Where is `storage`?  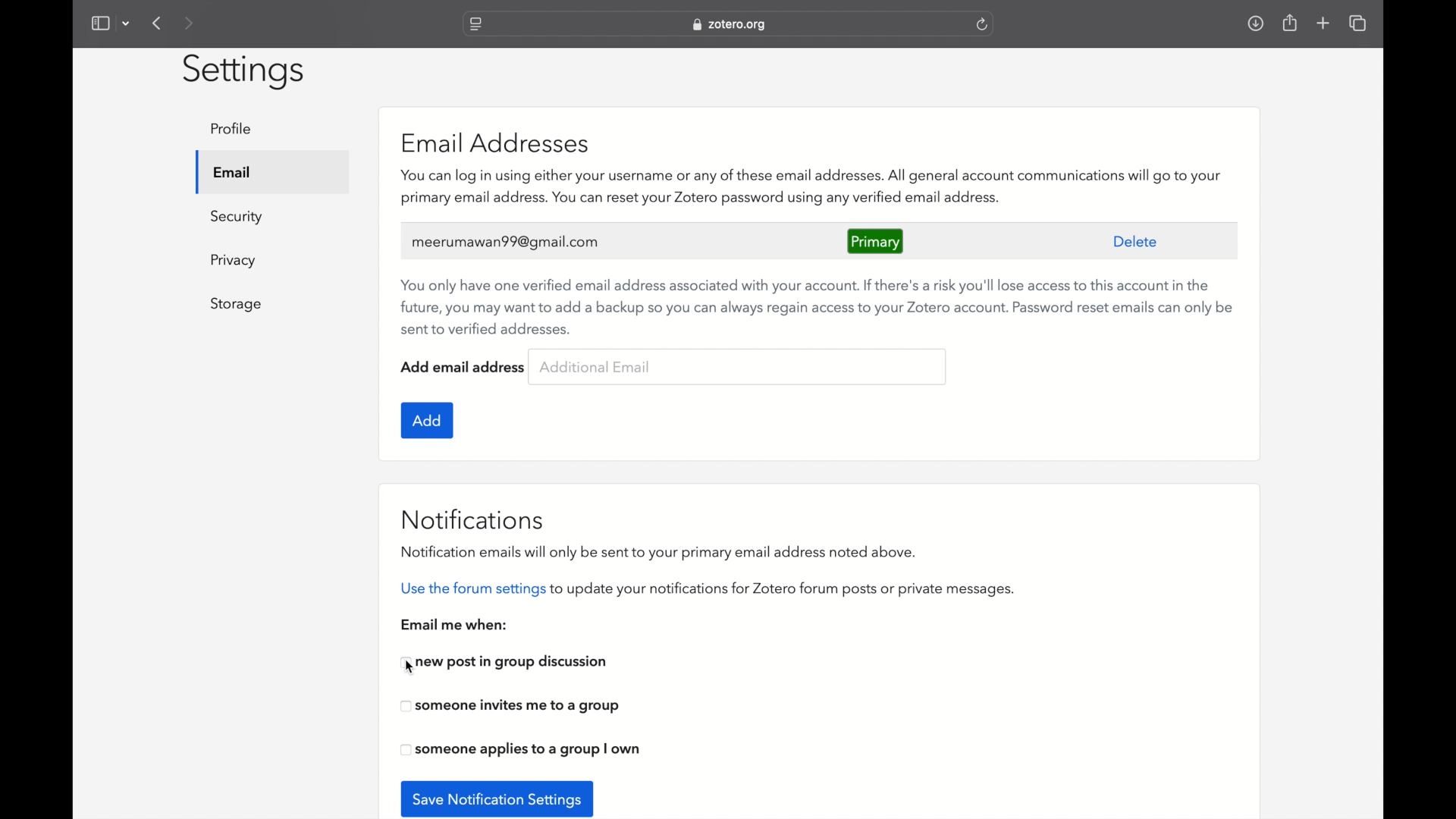
storage is located at coordinates (238, 304).